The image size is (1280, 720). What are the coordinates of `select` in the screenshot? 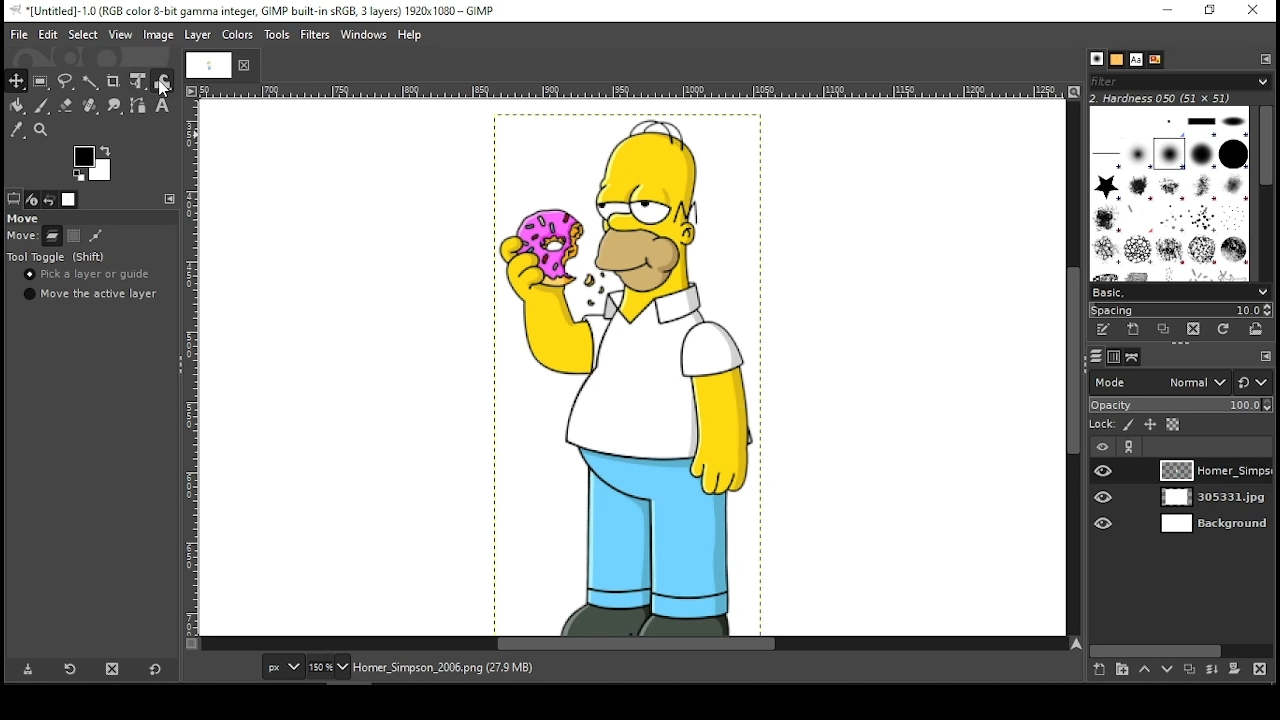 It's located at (84, 34).